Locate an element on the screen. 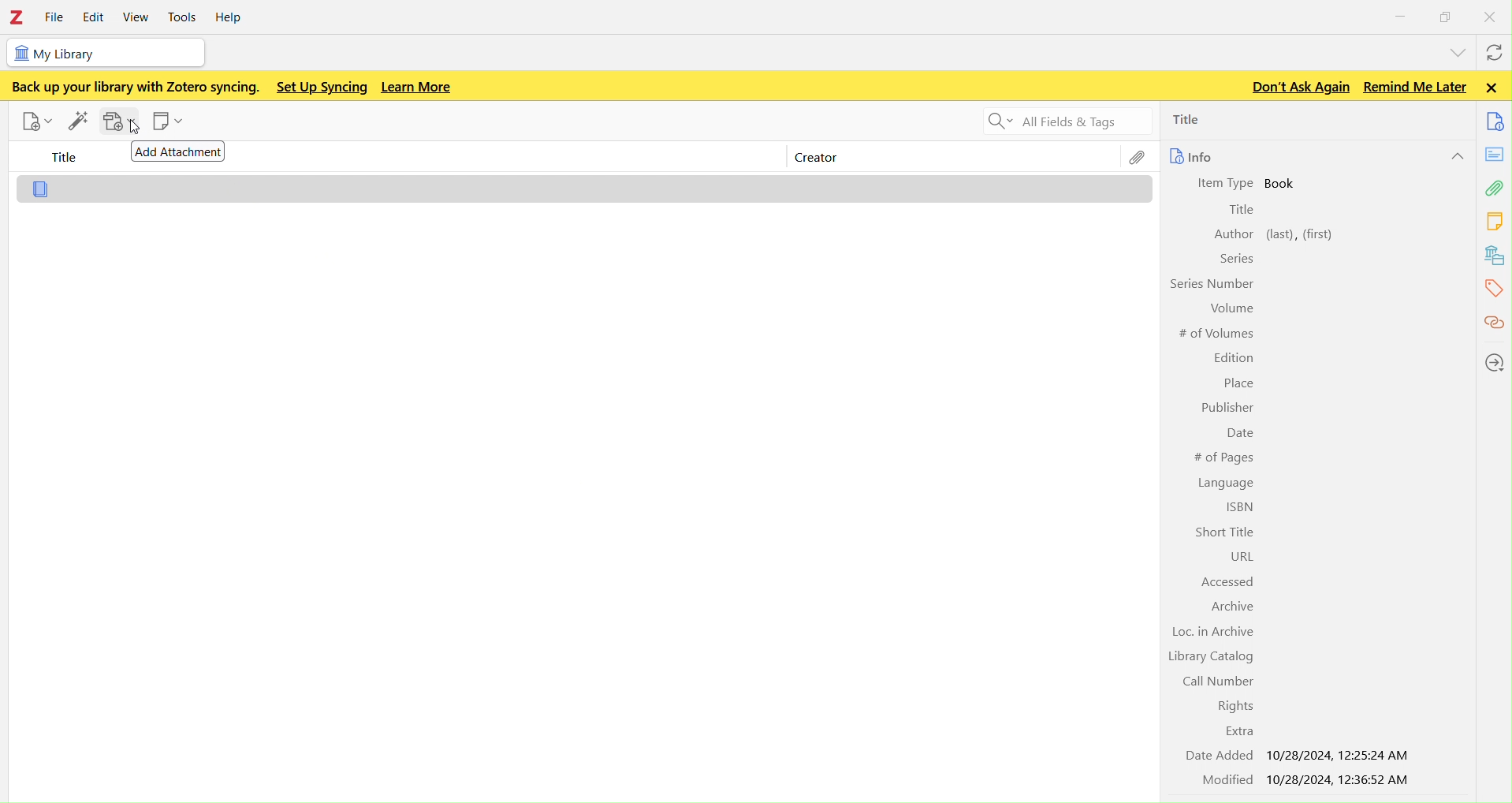 The height and width of the screenshot is (803, 1512). tags is located at coordinates (1495, 288).